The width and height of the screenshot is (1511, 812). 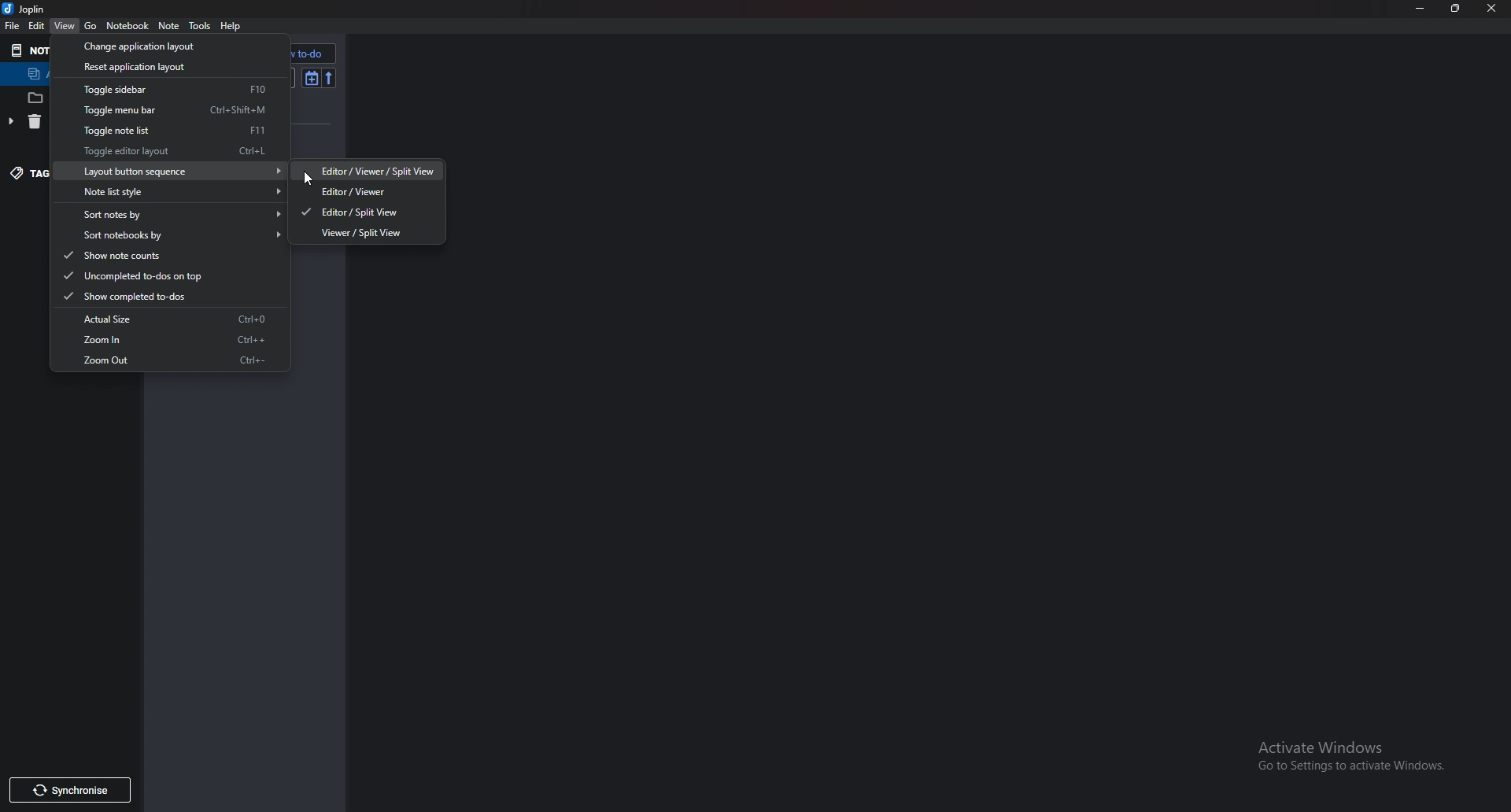 What do you see at coordinates (174, 215) in the screenshot?
I see `Sort notes by` at bounding box center [174, 215].